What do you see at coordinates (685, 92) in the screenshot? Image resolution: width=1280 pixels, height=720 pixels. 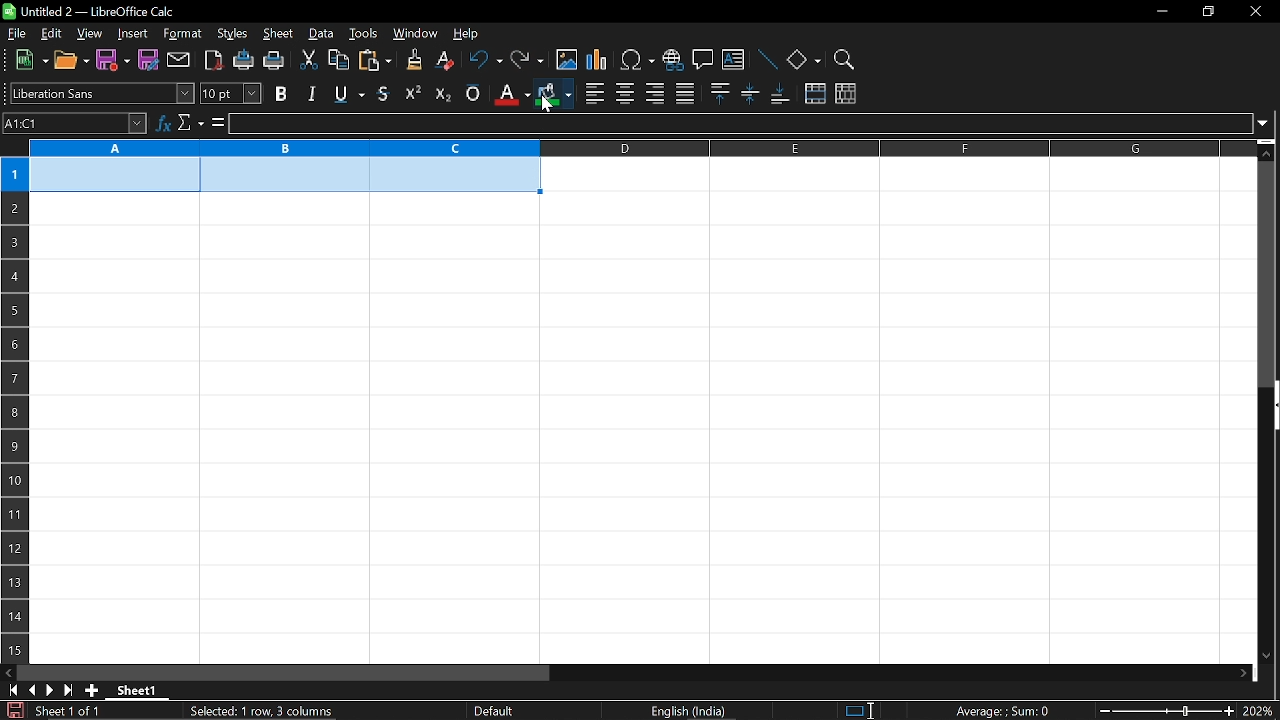 I see `justified` at bounding box center [685, 92].